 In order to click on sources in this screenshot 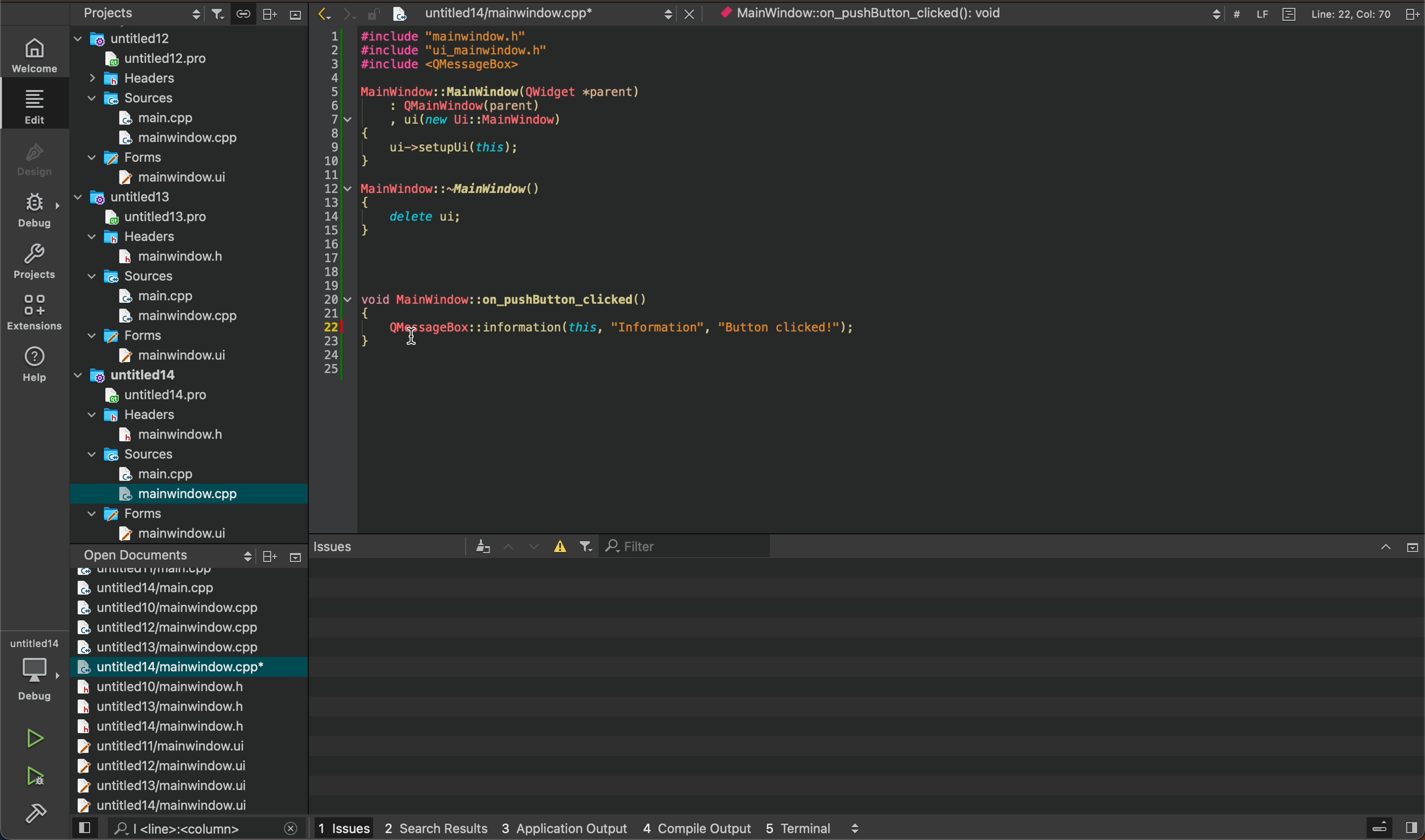, I will do `click(139, 276)`.